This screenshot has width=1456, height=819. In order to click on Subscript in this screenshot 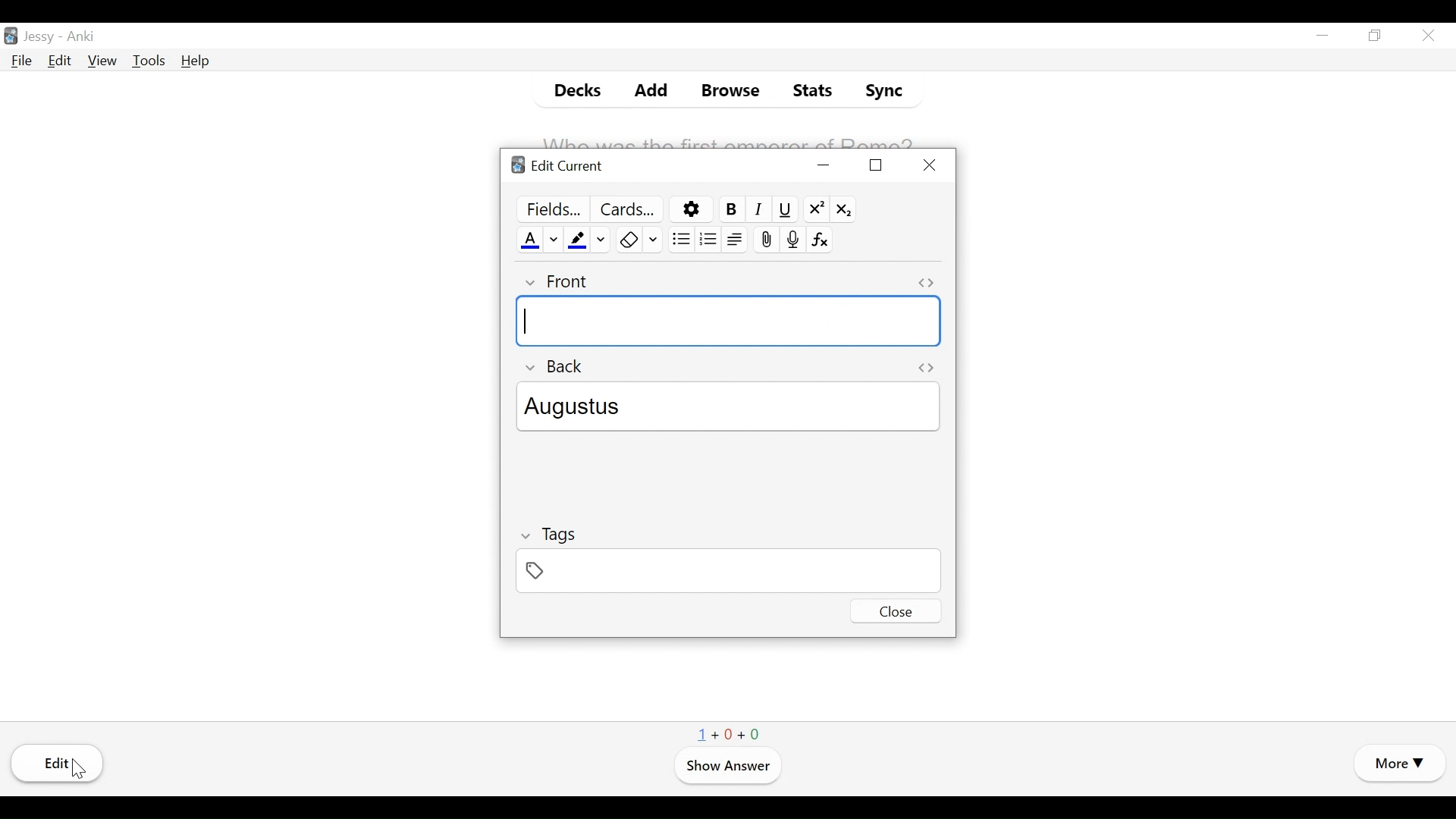, I will do `click(843, 208)`.